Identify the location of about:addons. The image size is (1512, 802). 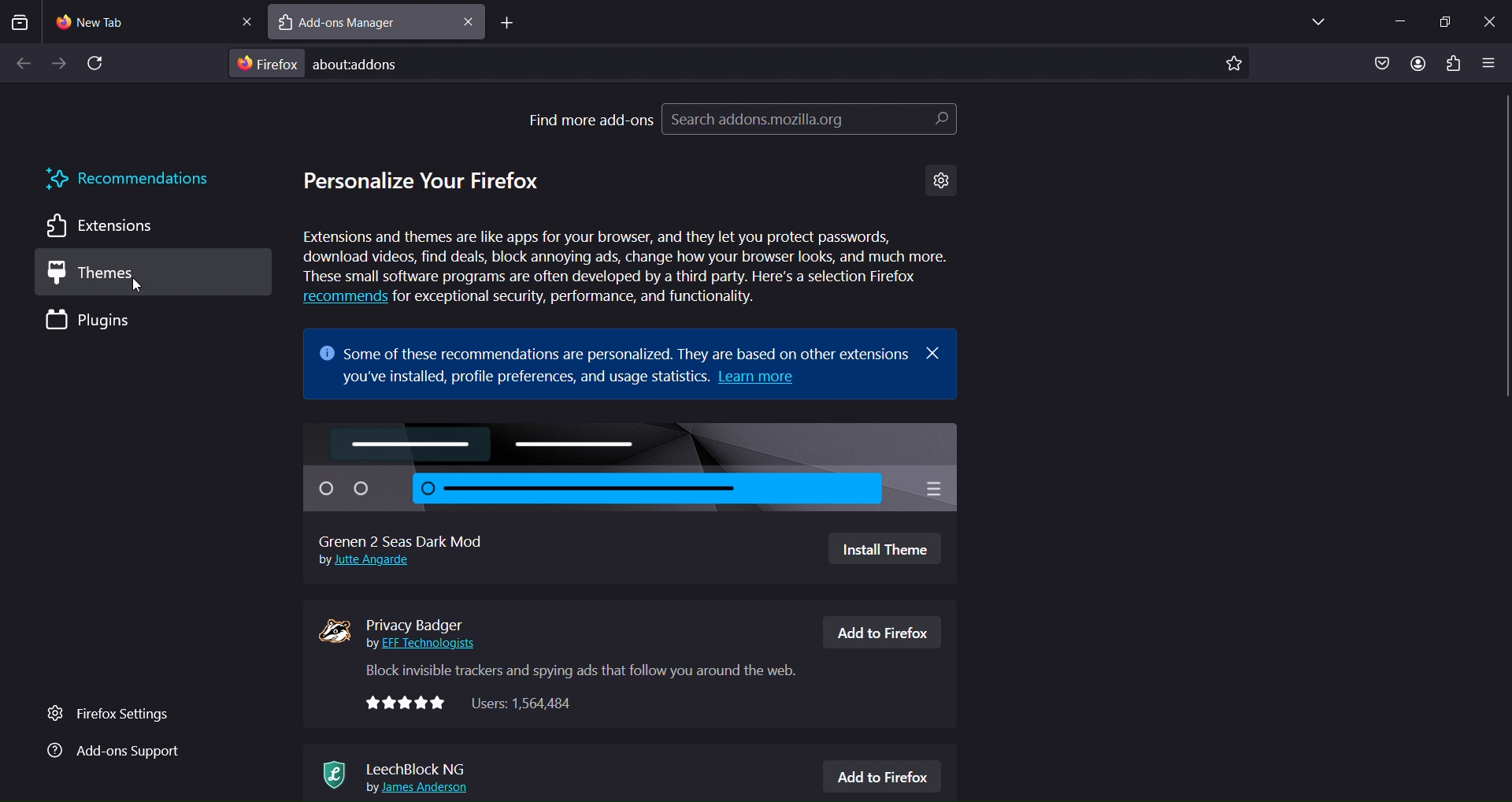
(381, 63).